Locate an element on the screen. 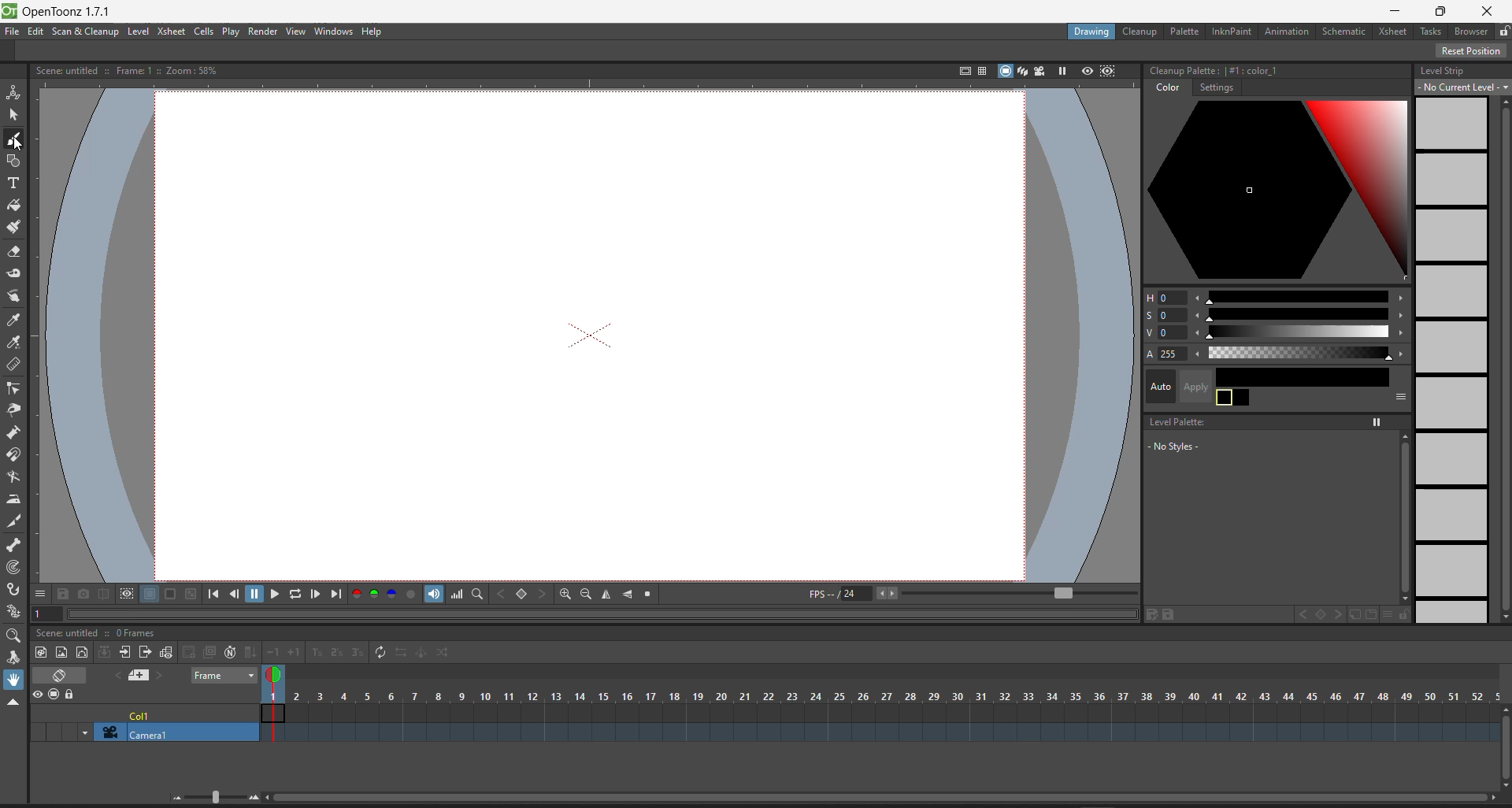 Image resolution: width=1512 pixels, height=808 pixels. blender tool is located at coordinates (15, 477).